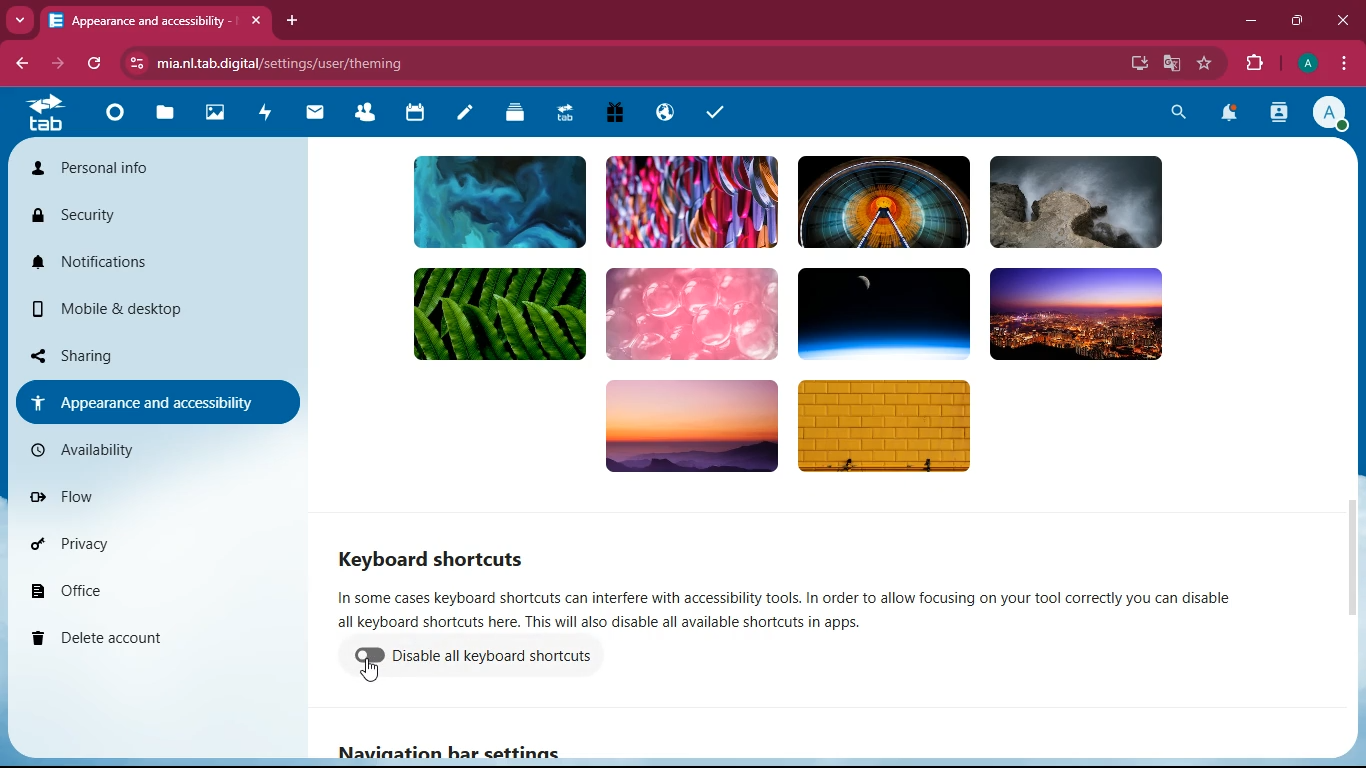 The width and height of the screenshot is (1366, 768). What do you see at coordinates (292, 21) in the screenshot?
I see `add tab` at bounding box center [292, 21].